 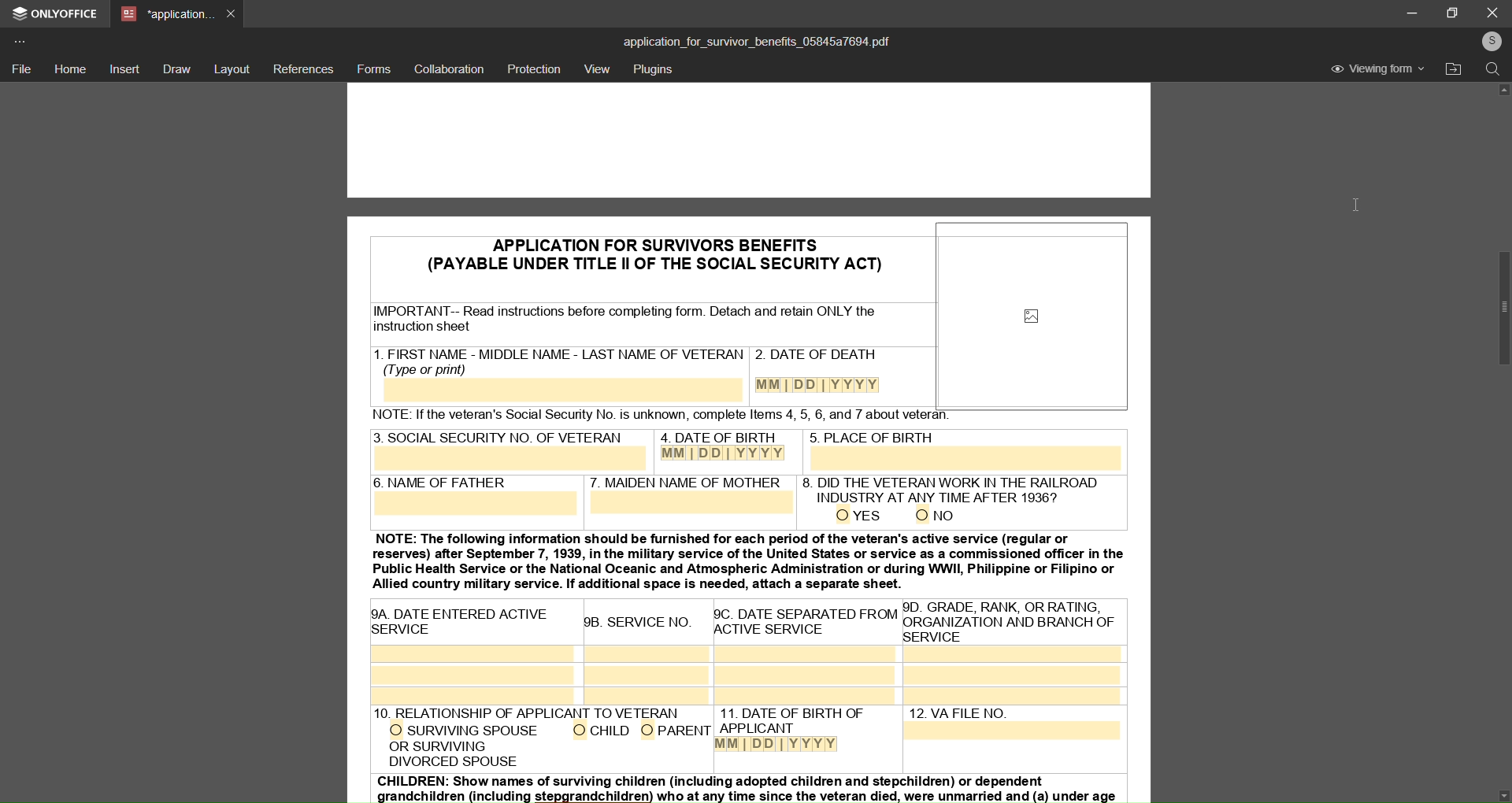 I want to click on maximize, so click(x=1455, y=12).